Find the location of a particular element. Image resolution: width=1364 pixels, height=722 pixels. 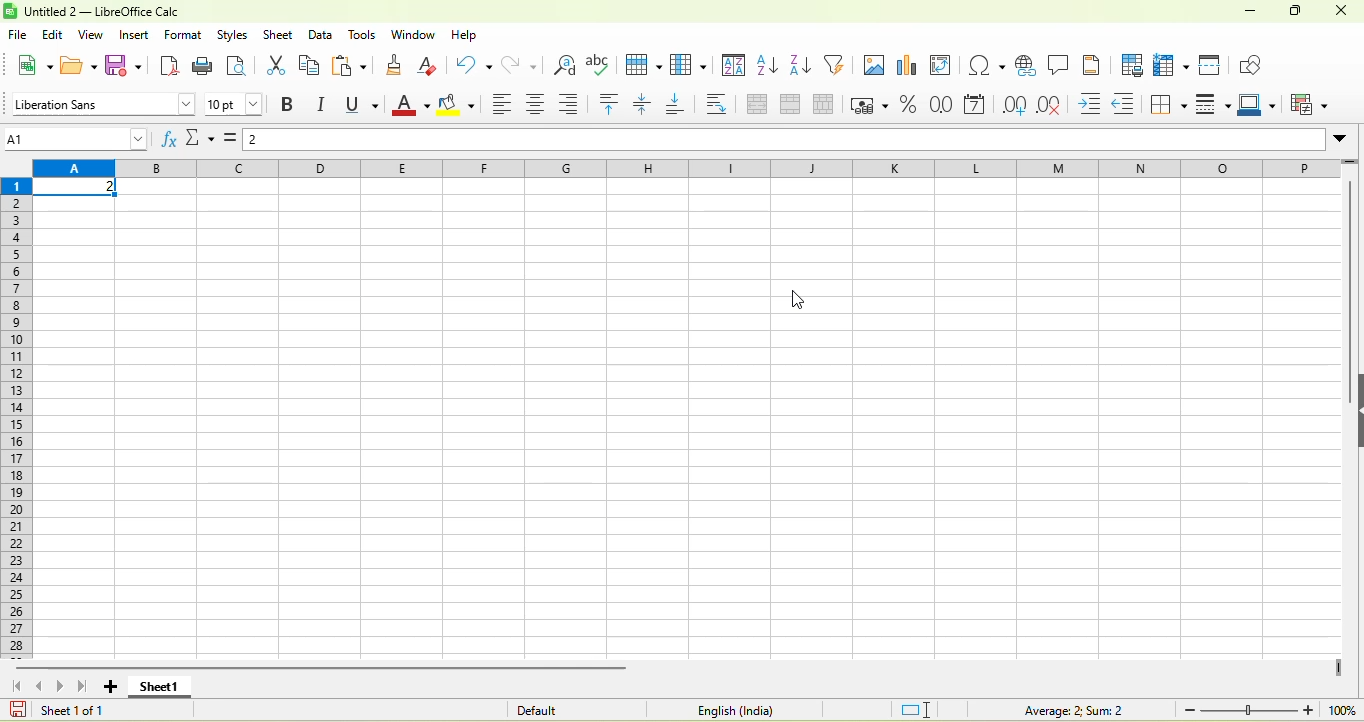

split window is located at coordinates (1214, 64).